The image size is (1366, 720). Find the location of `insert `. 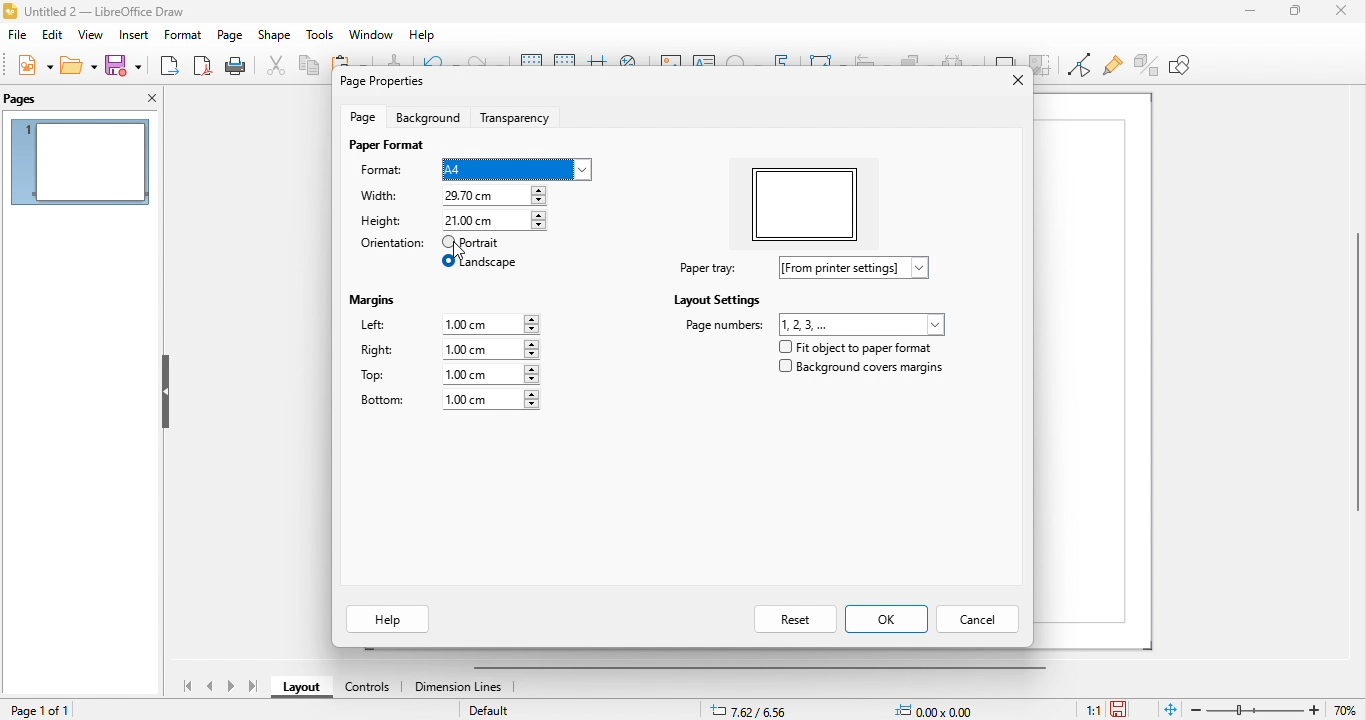

insert  is located at coordinates (133, 35).